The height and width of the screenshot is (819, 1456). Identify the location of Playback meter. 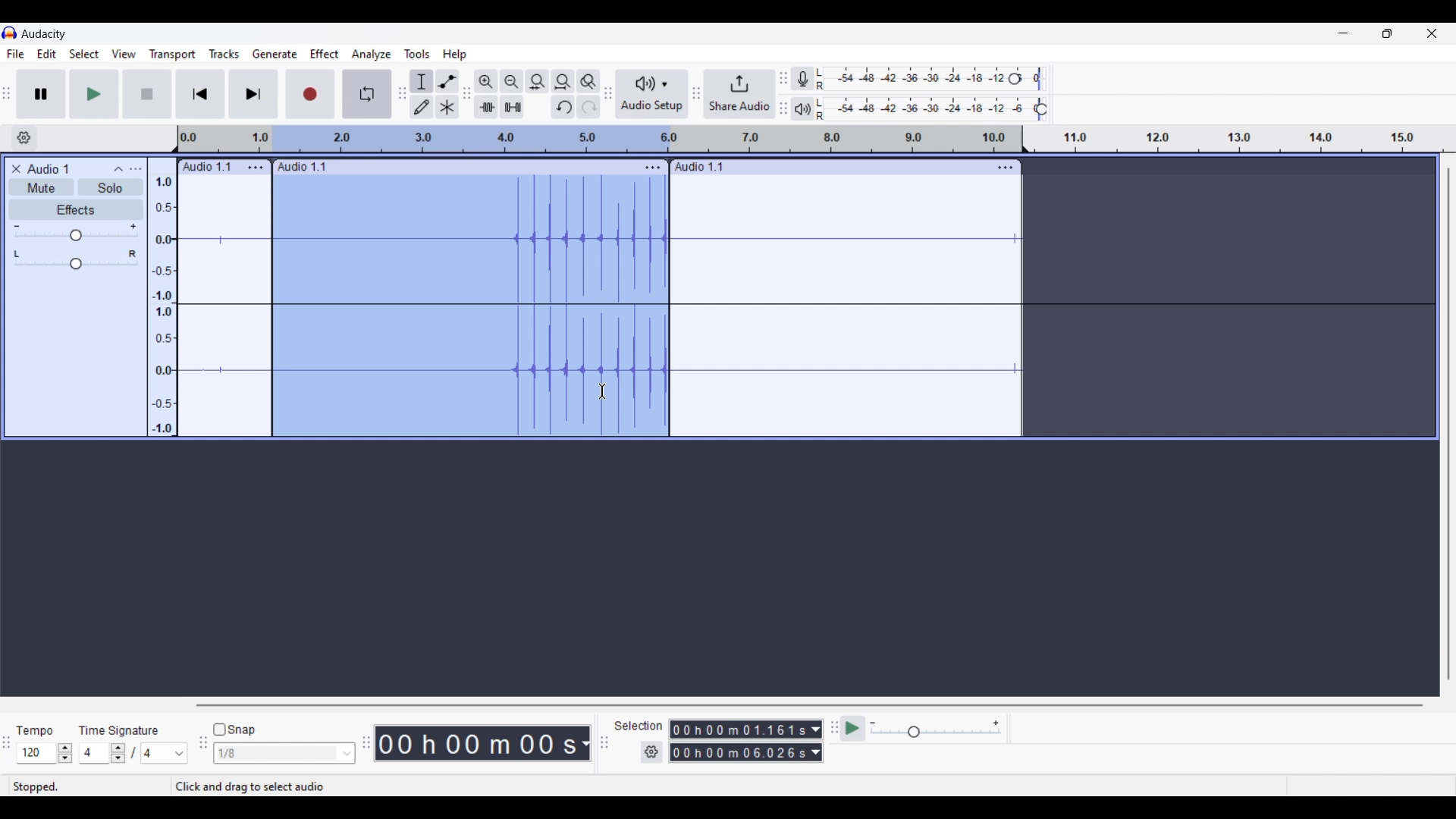
(802, 109).